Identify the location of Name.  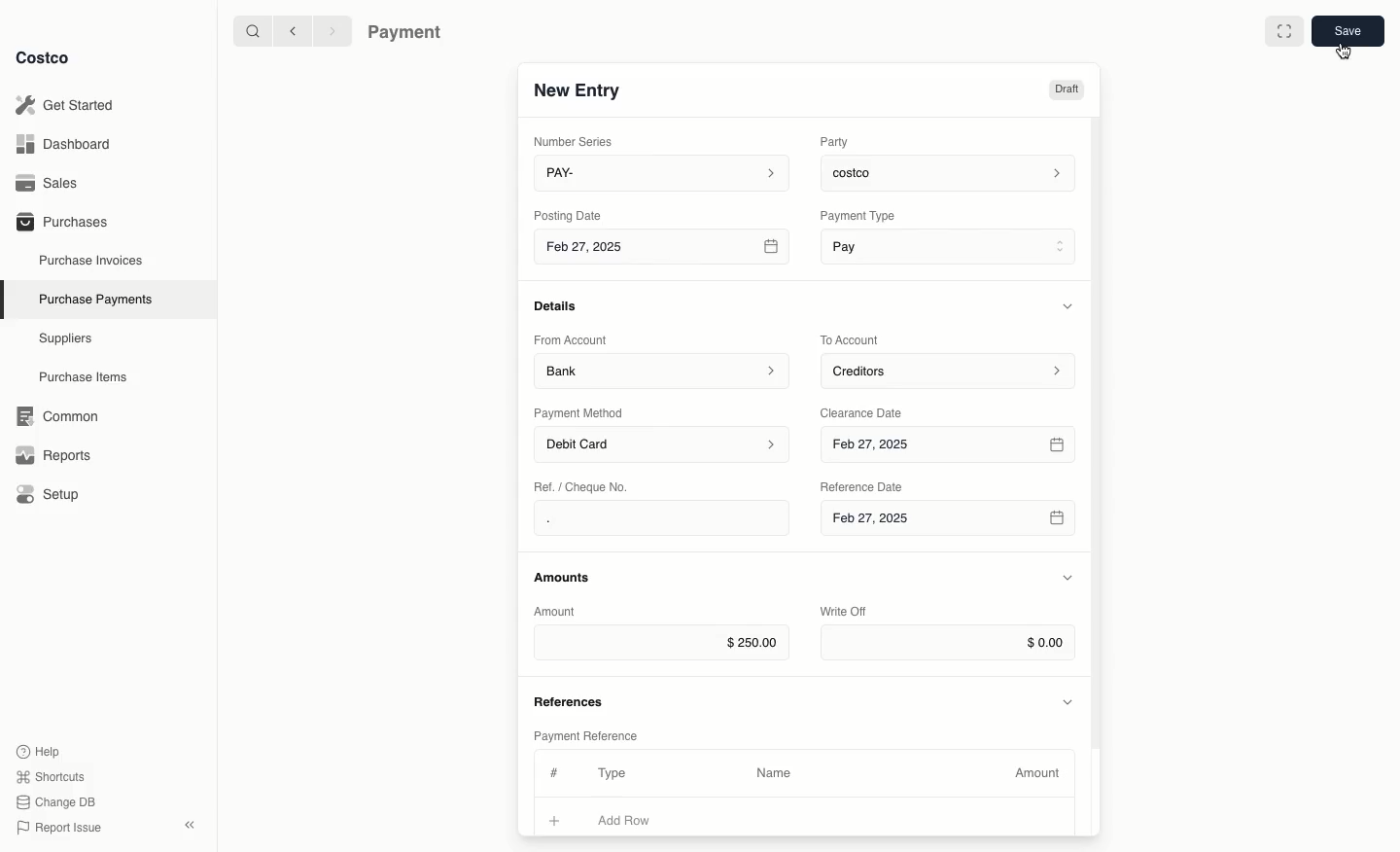
(774, 773).